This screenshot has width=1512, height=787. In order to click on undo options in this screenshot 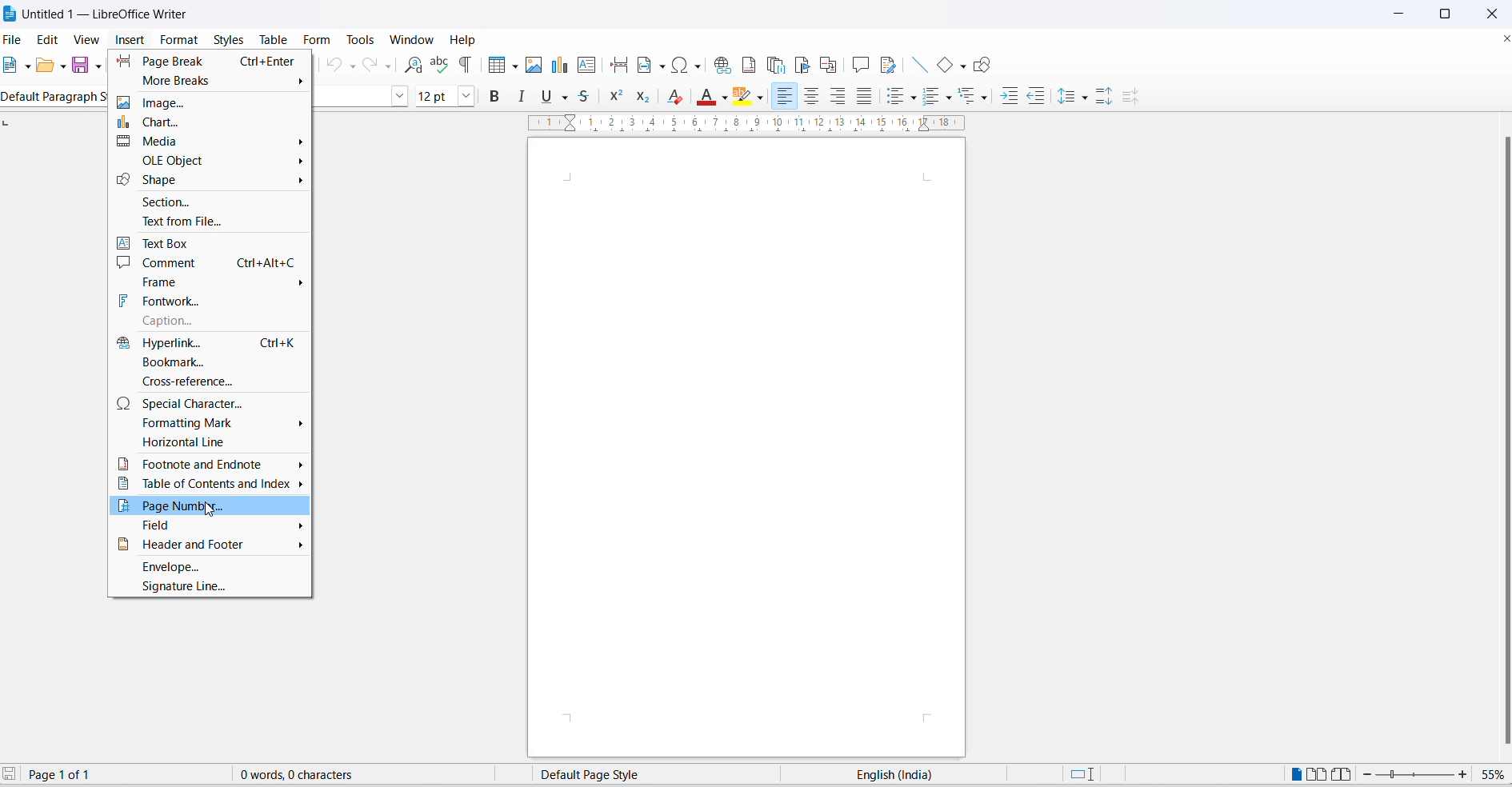, I will do `click(353, 67)`.